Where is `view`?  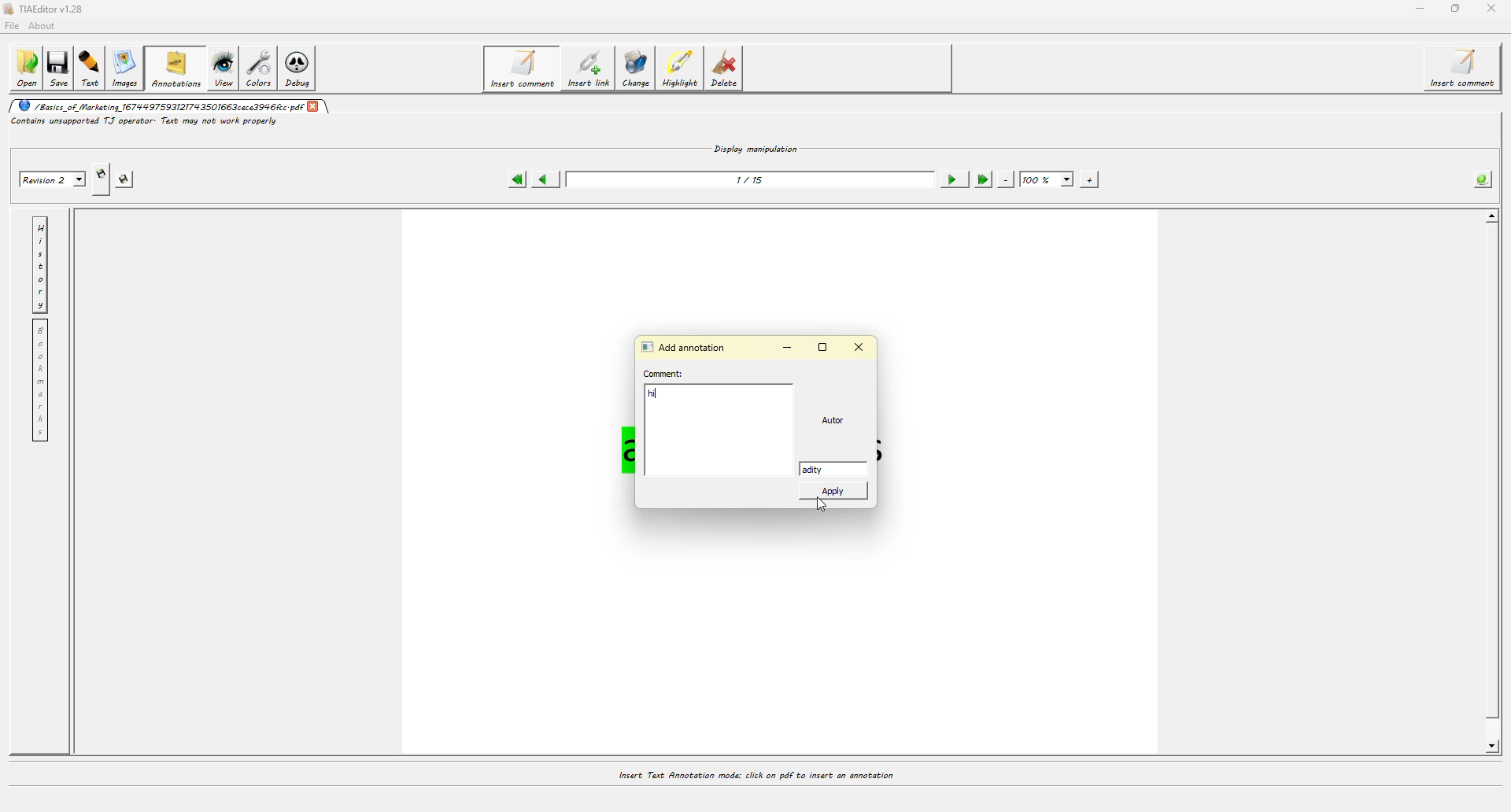 view is located at coordinates (224, 68).